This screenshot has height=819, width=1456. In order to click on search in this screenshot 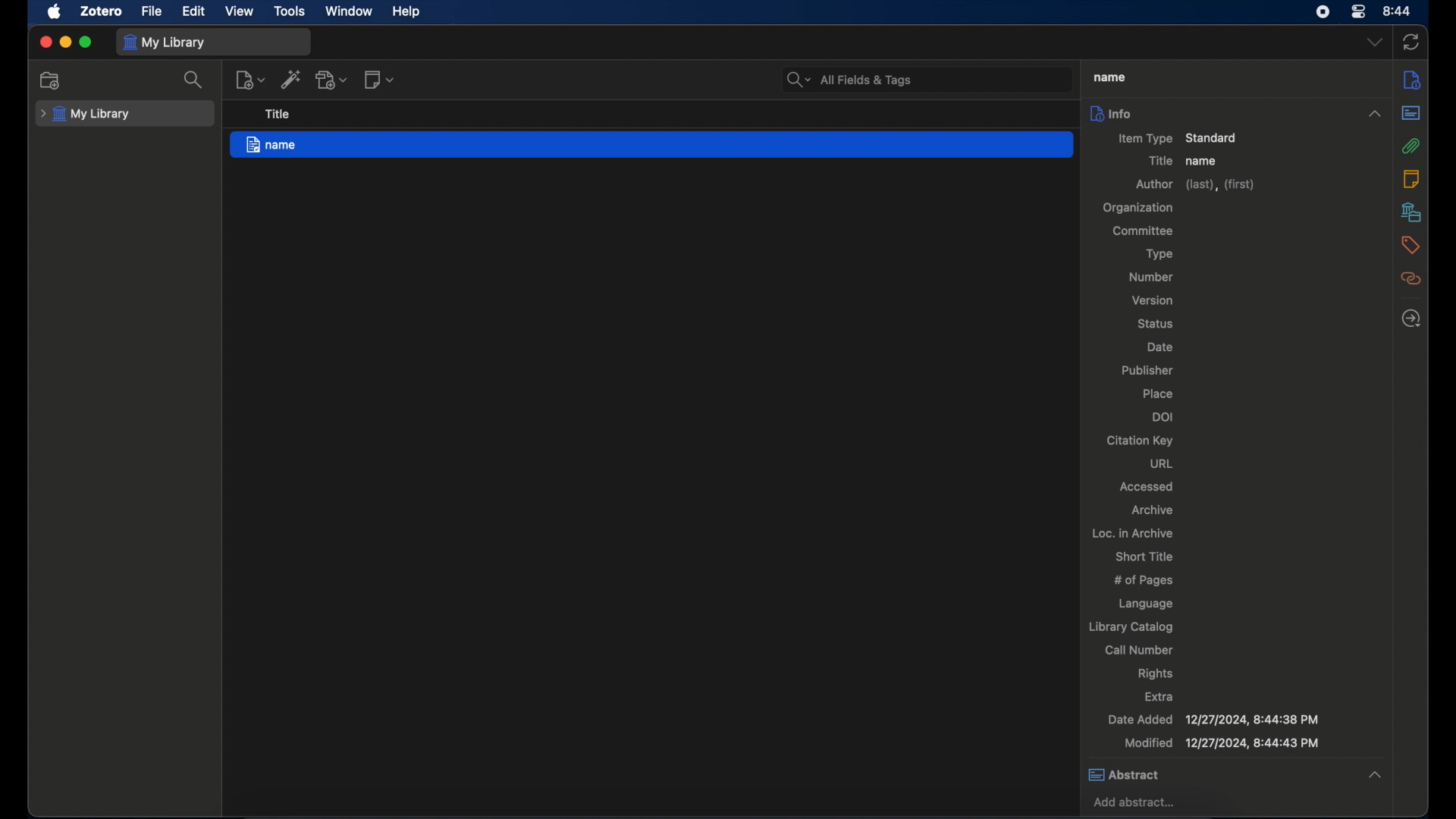, I will do `click(194, 80)`.